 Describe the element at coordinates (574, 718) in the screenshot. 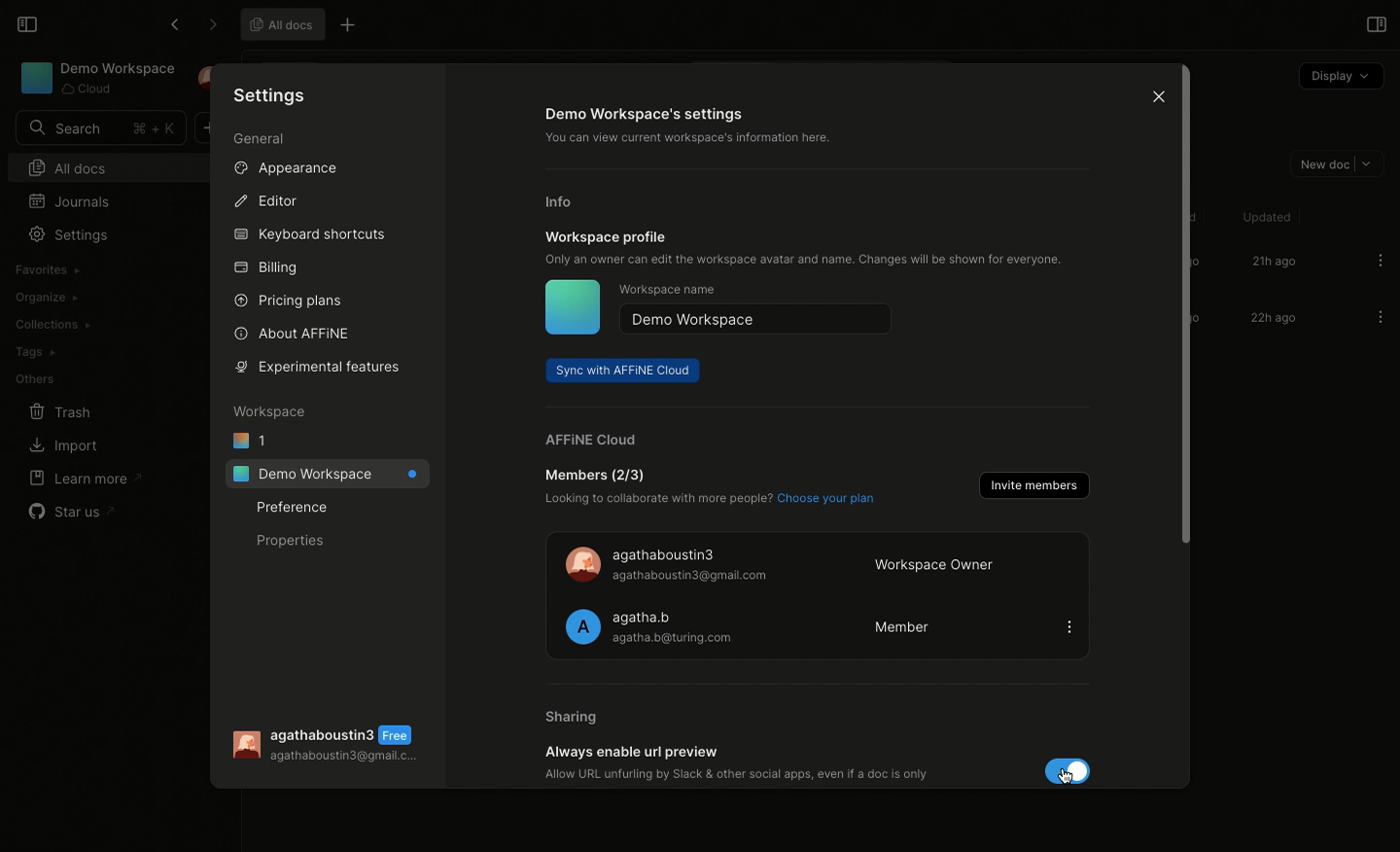

I see `Sharing` at that location.